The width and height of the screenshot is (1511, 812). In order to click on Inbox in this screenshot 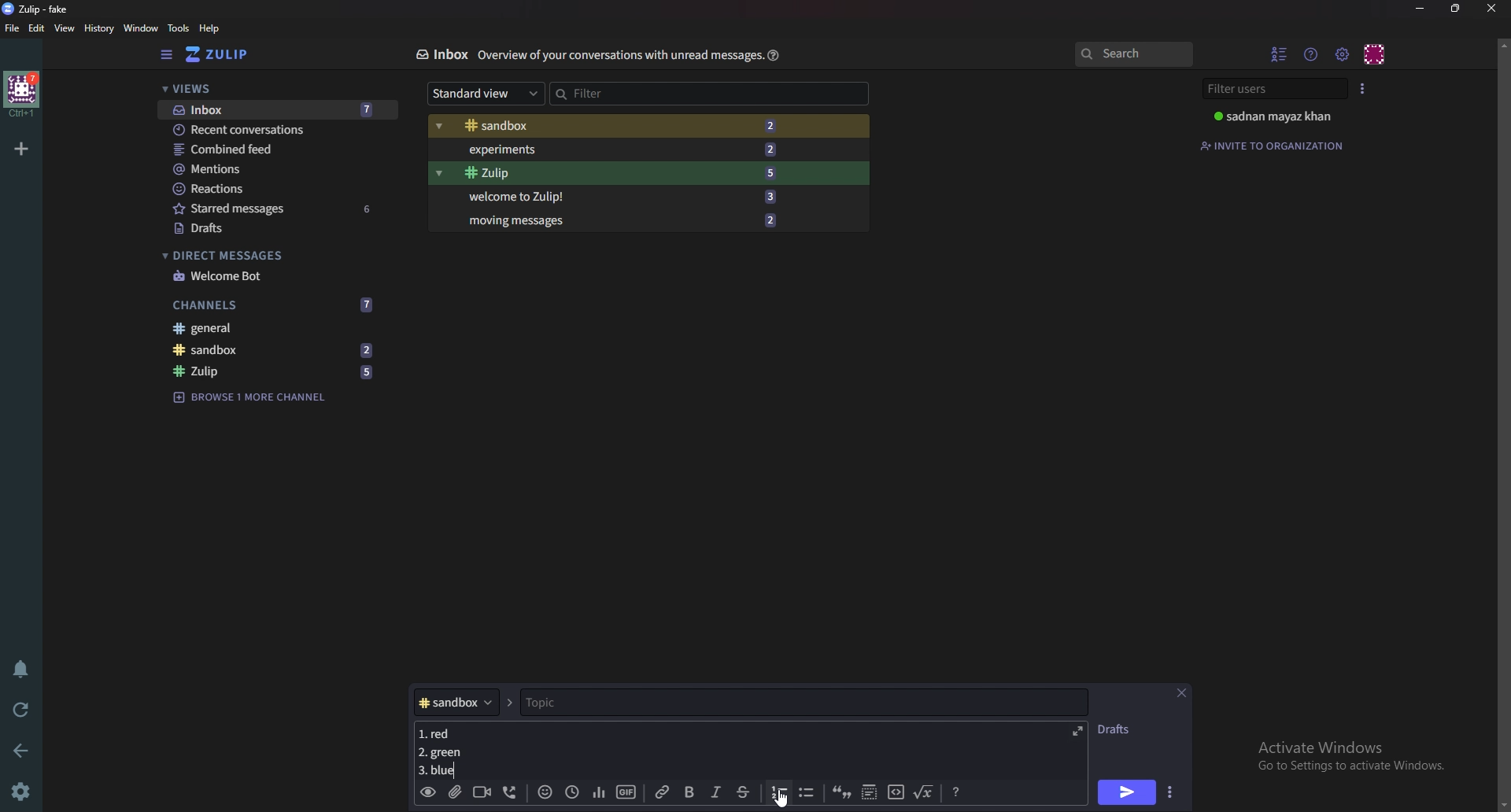, I will do `click(272, 109)`.